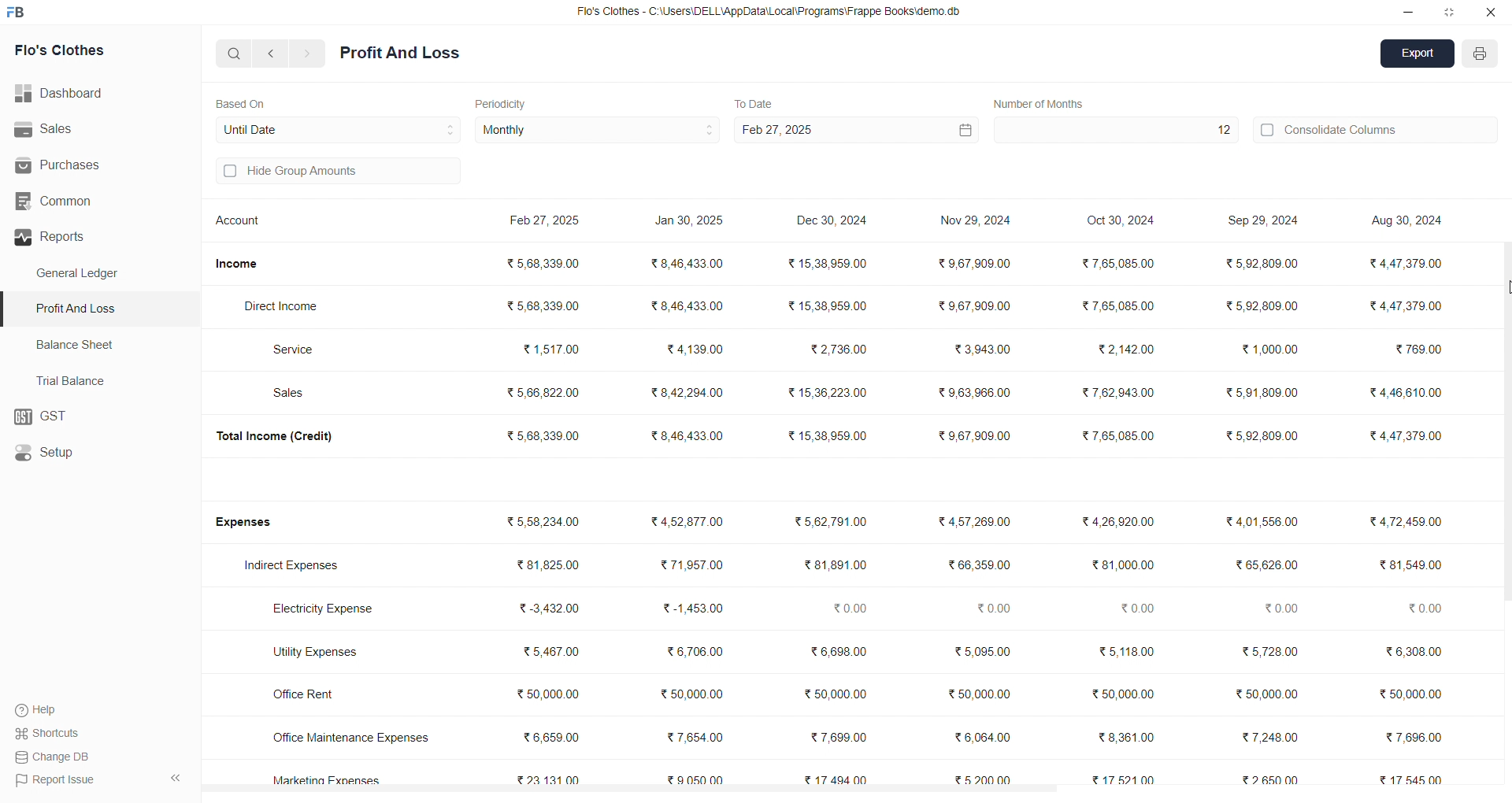 The width and height of the screenshot is (1512, 803). I want to click on 38154900, so click(1400, 565).